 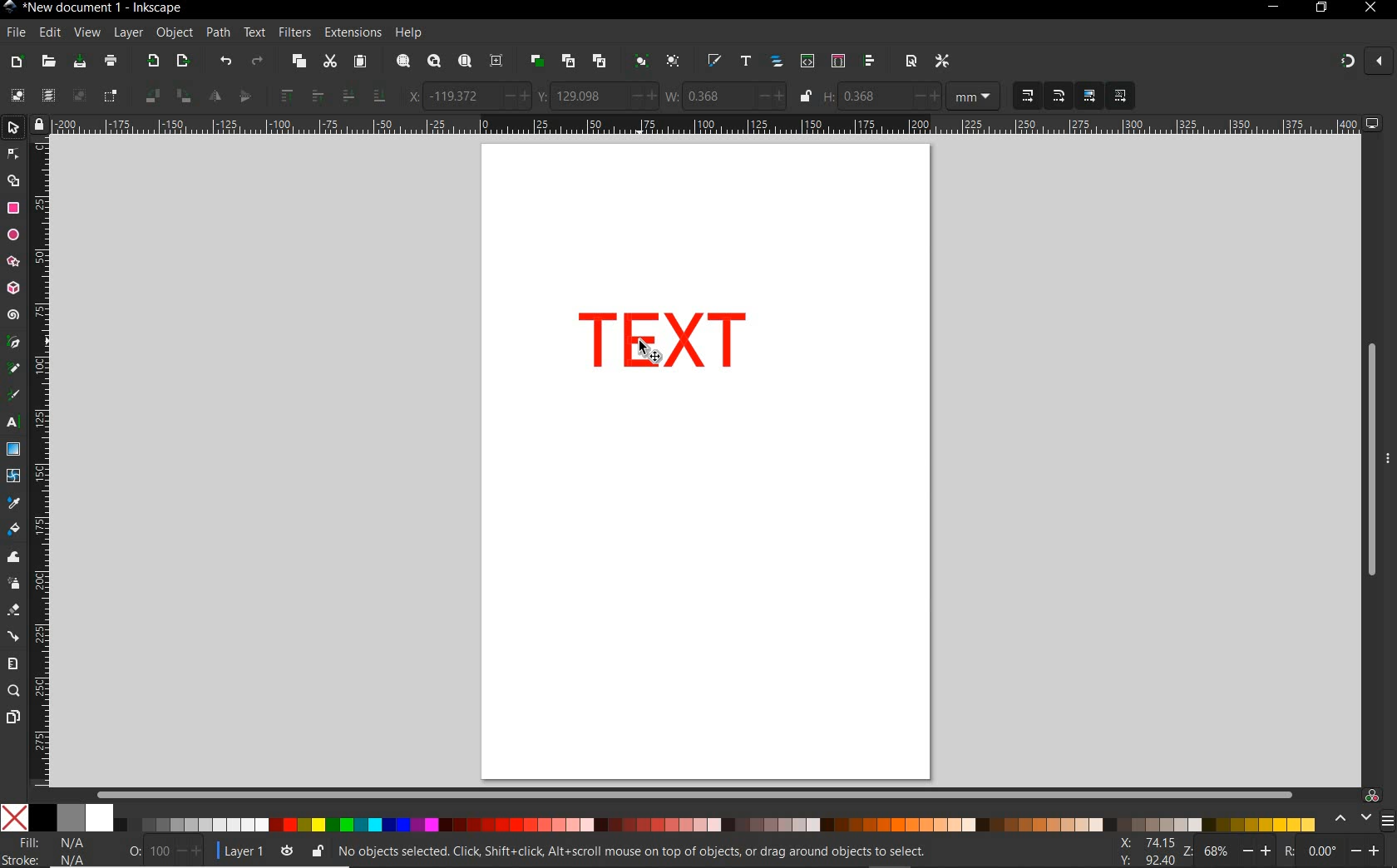 What do you see at coordinates (15, 610) in the screenshot?
I see `ERASER TOOL` at bounding box center [15, 610].